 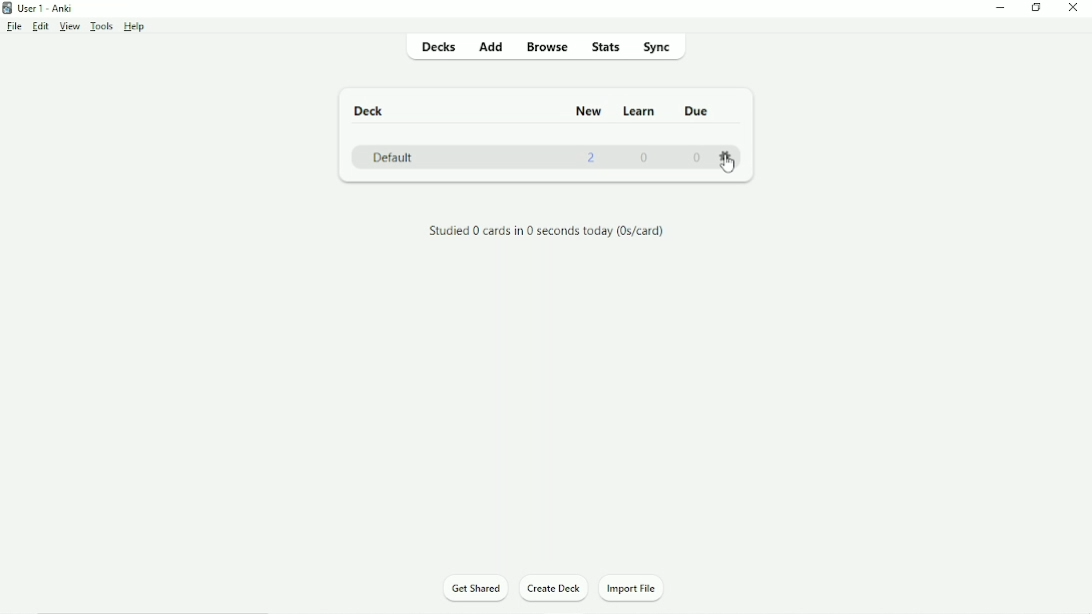 I want to click on Help, so click(x=135, y=27).